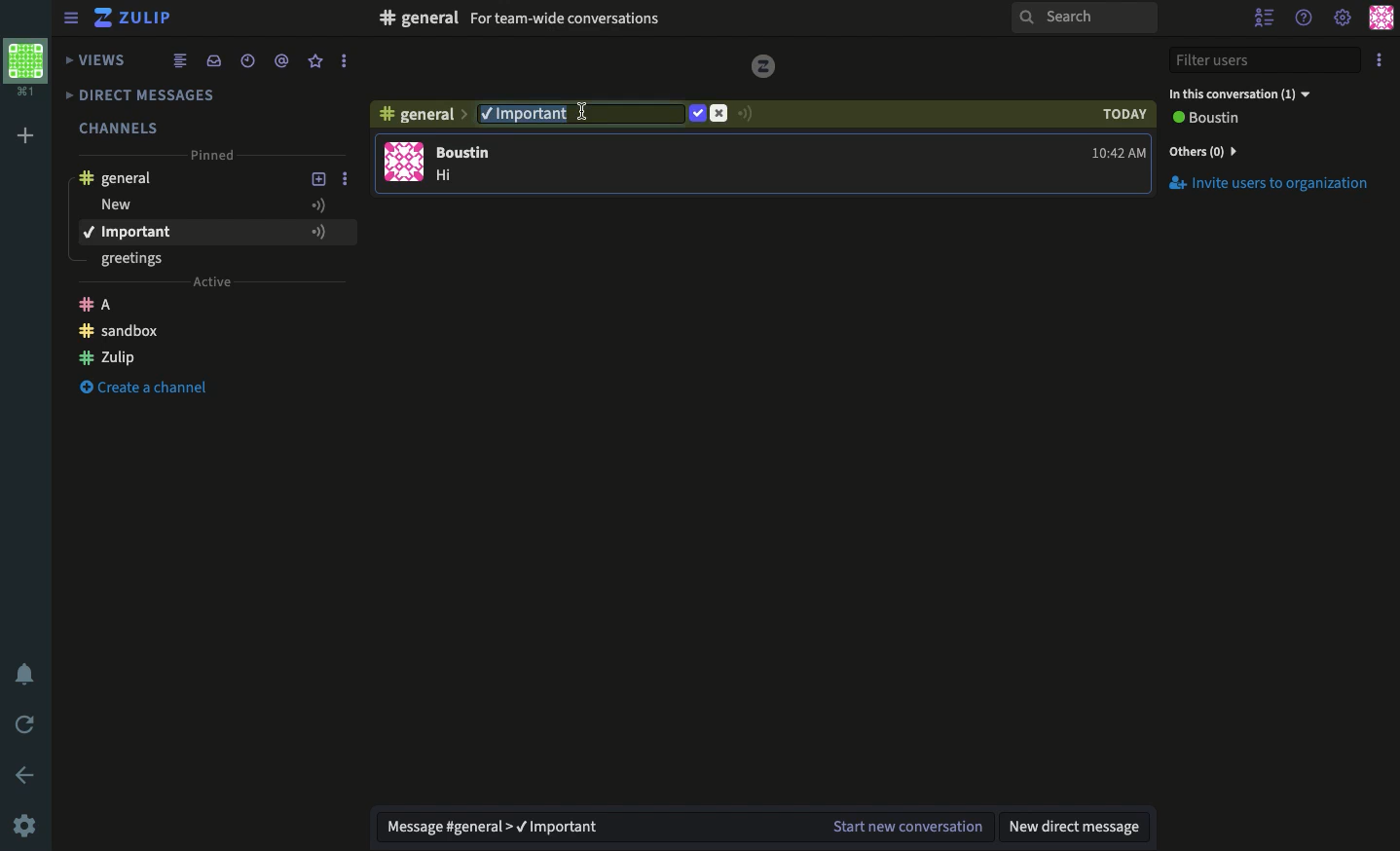 Image resolution: width=1400 pixels, height=851 pixels. I want to click on Views, so click(97, 57).